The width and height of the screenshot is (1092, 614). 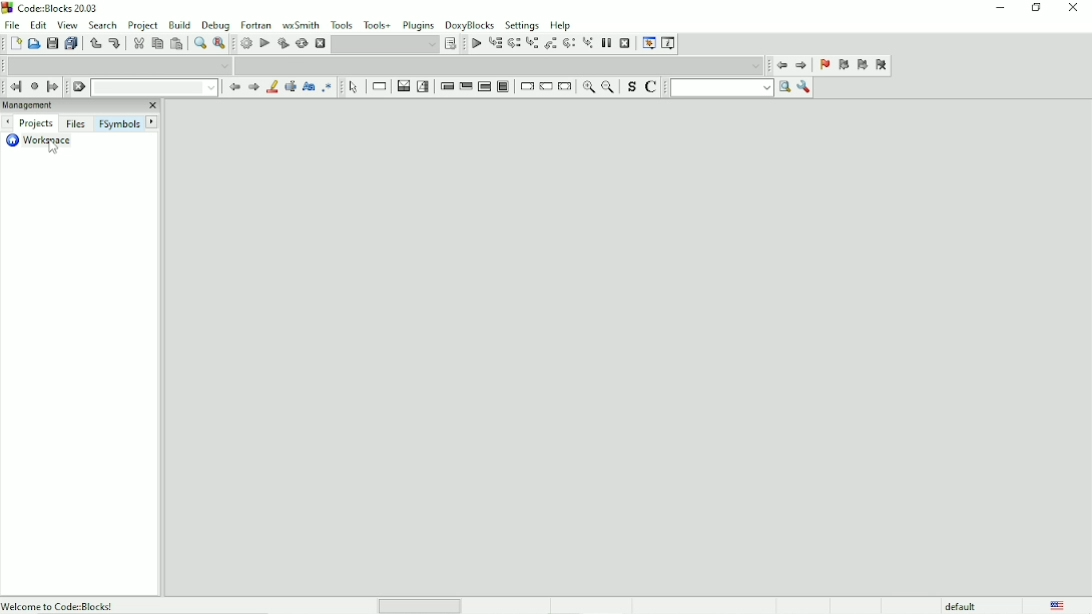 What do you see at coordinates (385, 44) in the screenshot?
I see `Drop down` at bounding box center [385, 44].